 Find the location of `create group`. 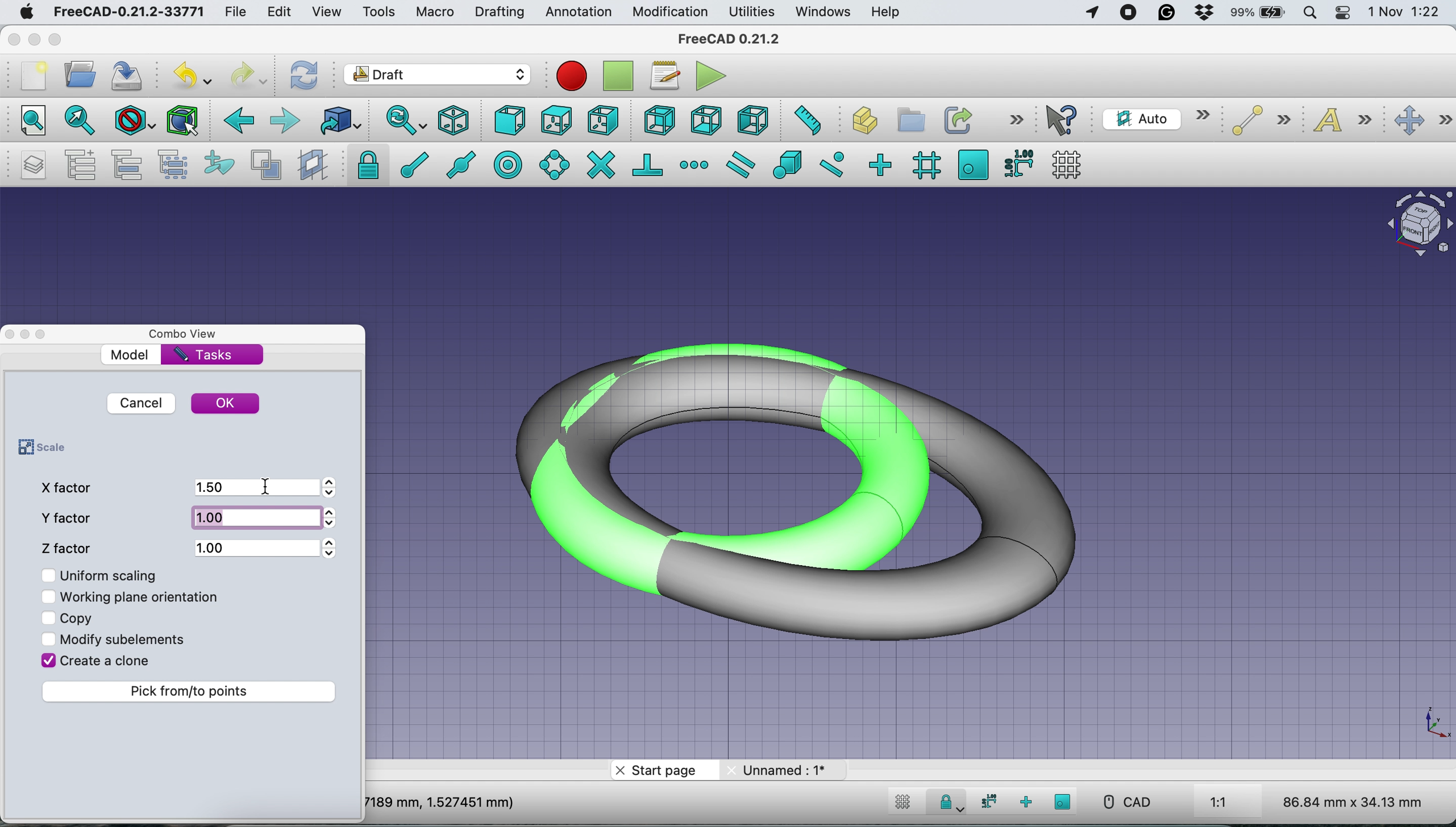

create group is located at coordinates (908, 118).